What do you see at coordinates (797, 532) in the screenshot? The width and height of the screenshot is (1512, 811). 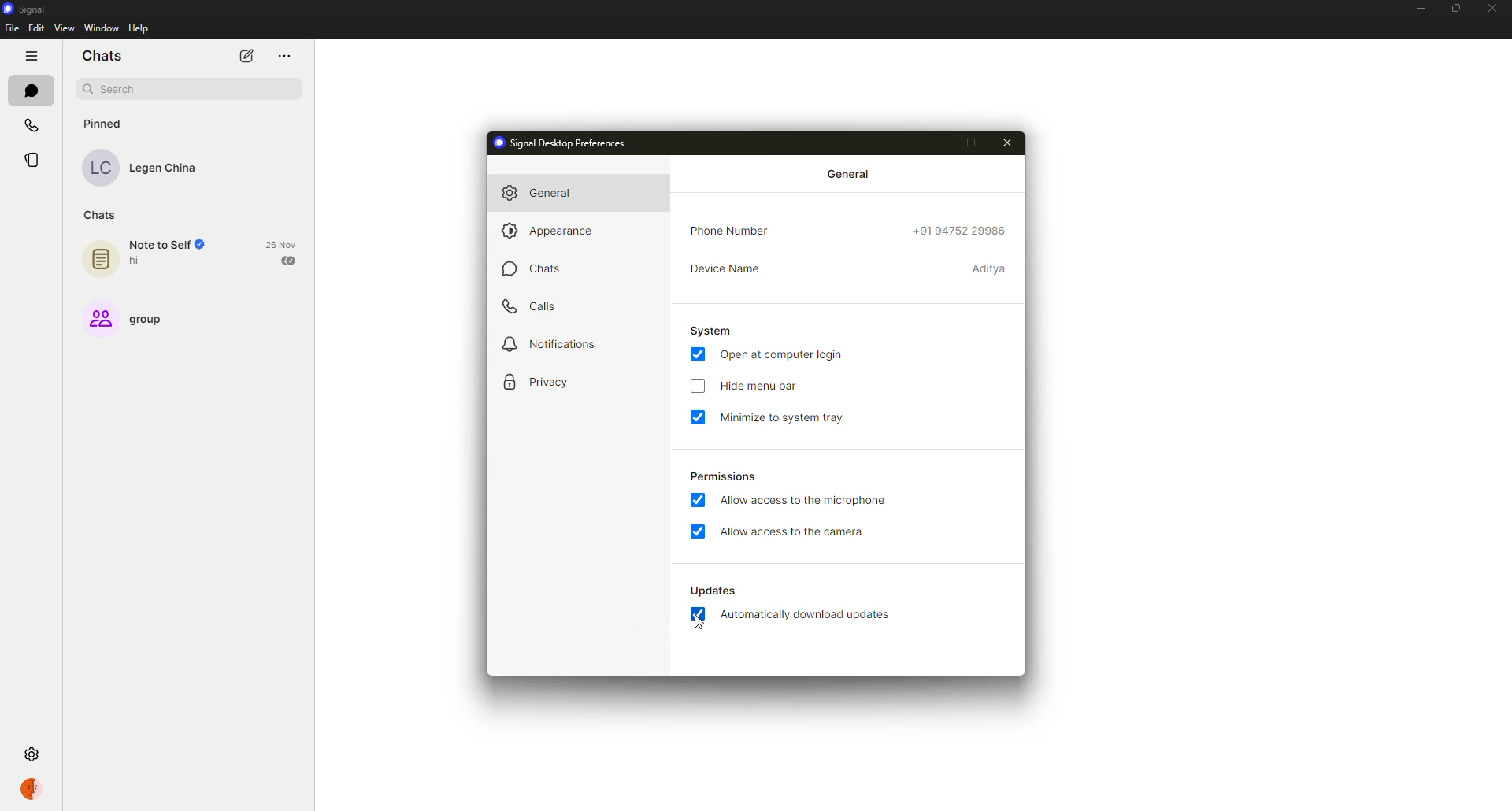 I see `allow access to camera` at bounding box center [797, 532].